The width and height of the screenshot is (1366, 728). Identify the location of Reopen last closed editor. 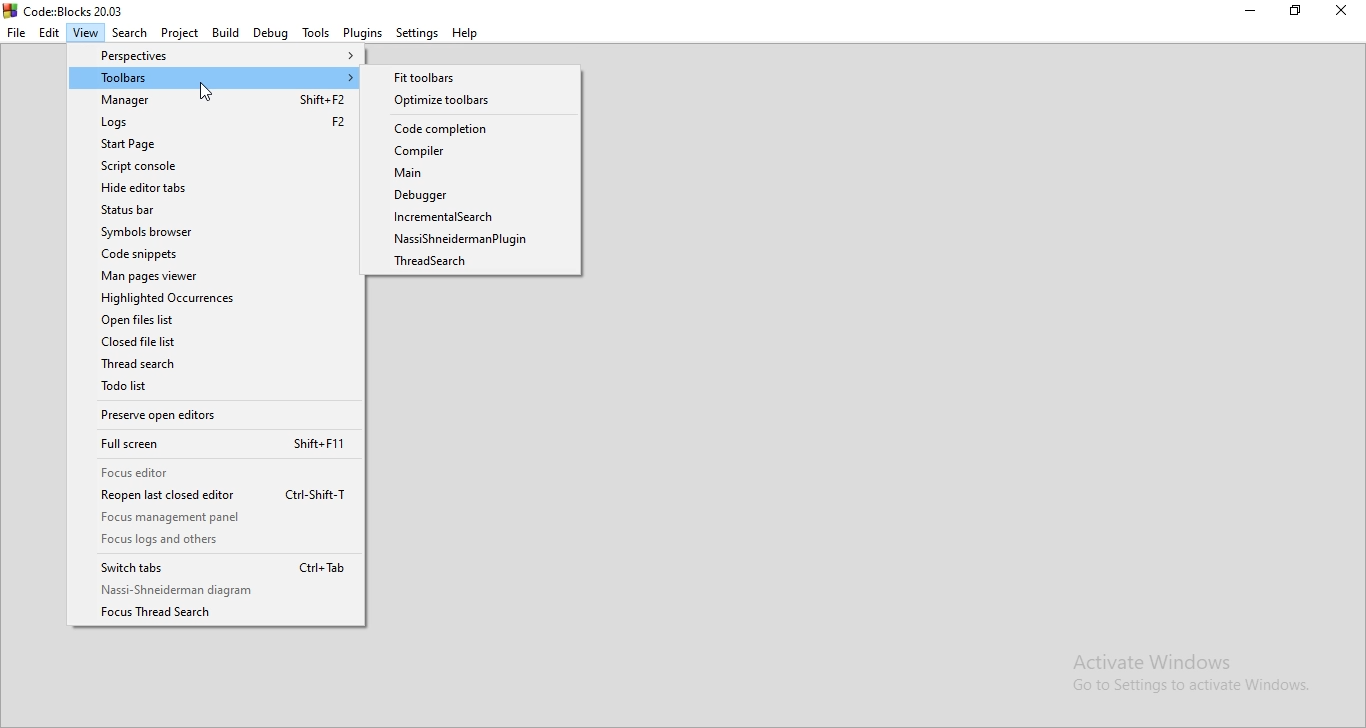
(212, 496).